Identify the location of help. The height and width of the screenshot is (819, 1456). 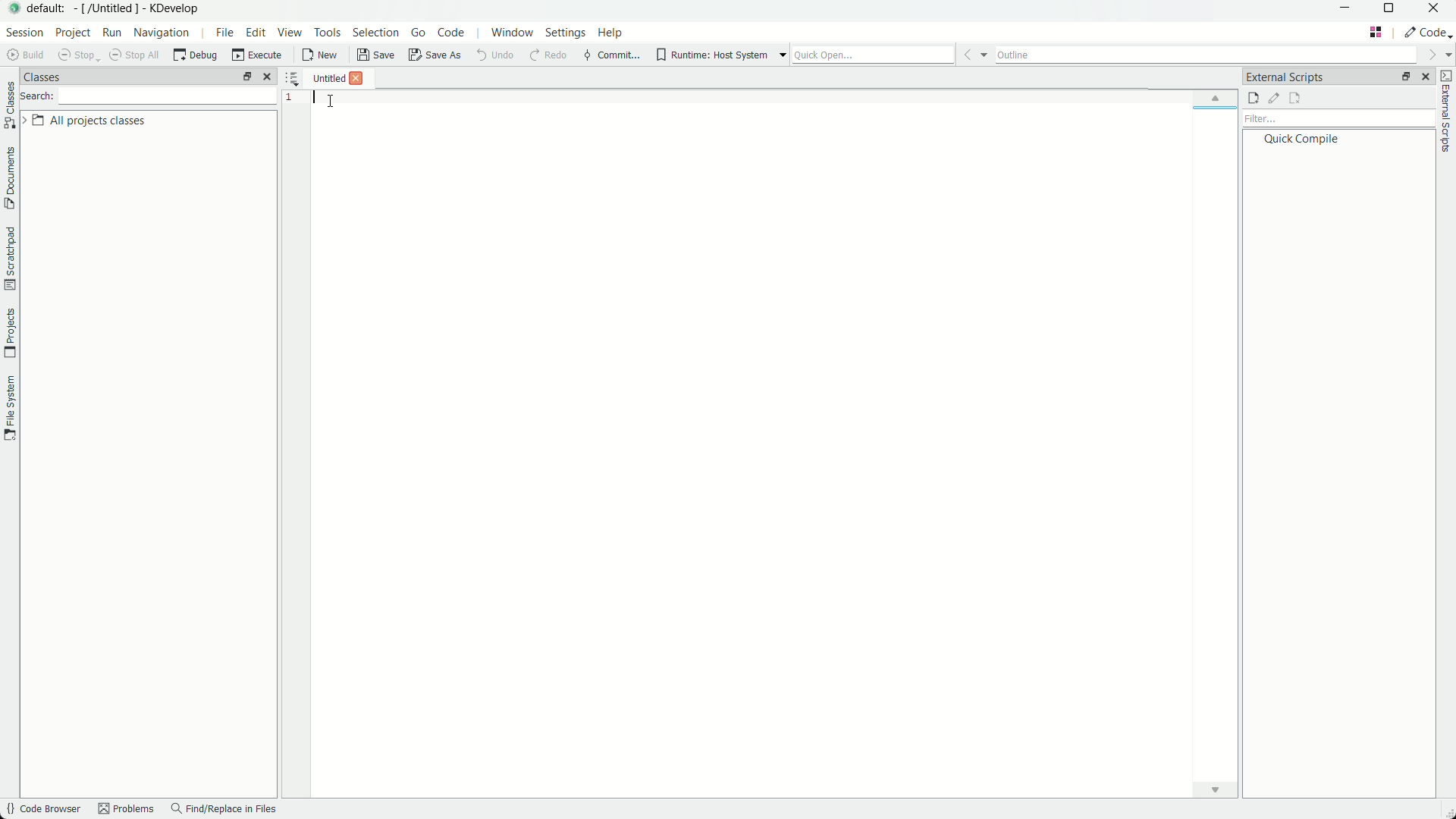
(610, 34).